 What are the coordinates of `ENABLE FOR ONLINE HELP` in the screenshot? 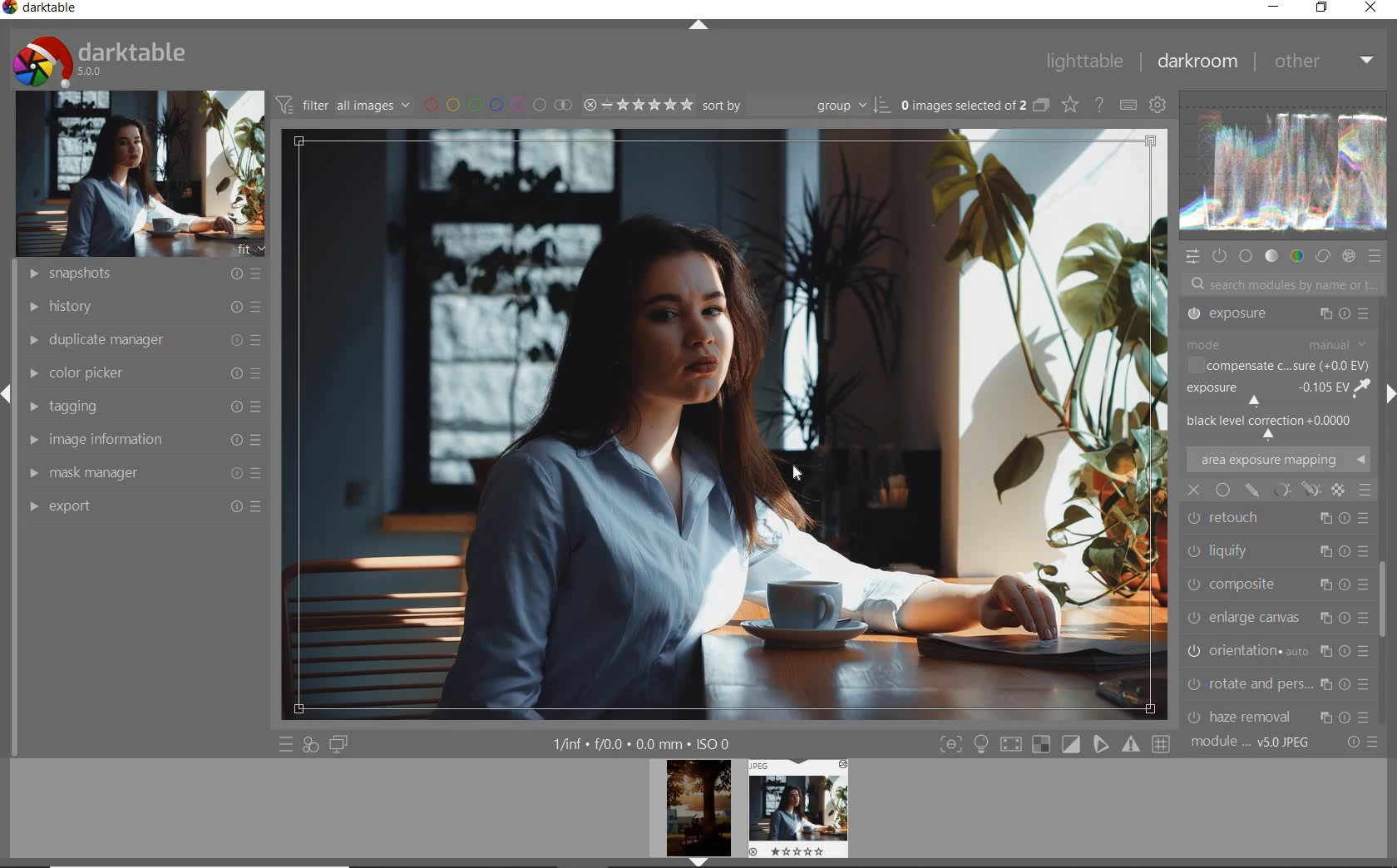 It's located at (1099, 105).